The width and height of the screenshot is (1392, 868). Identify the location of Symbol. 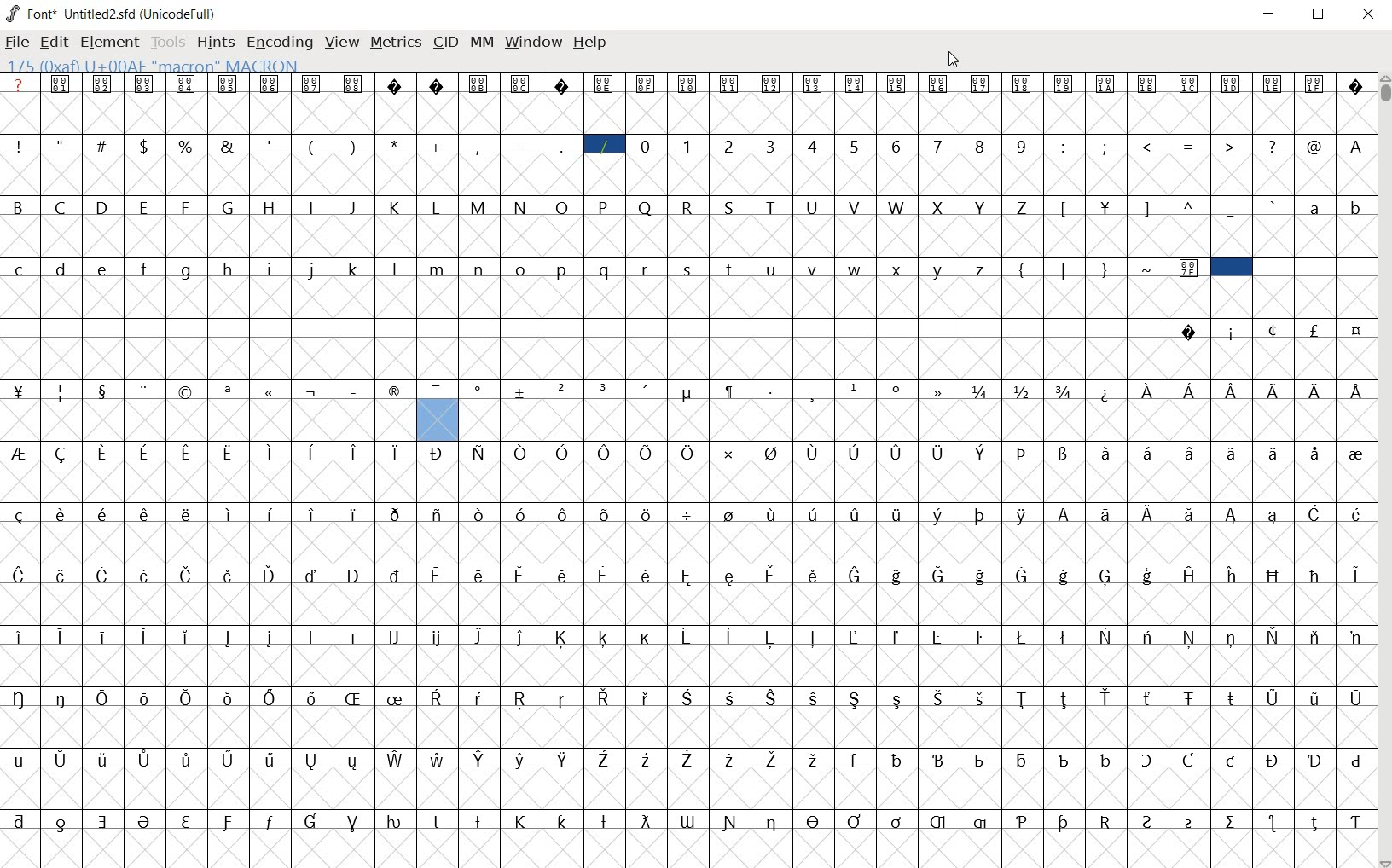
(1230, 451).